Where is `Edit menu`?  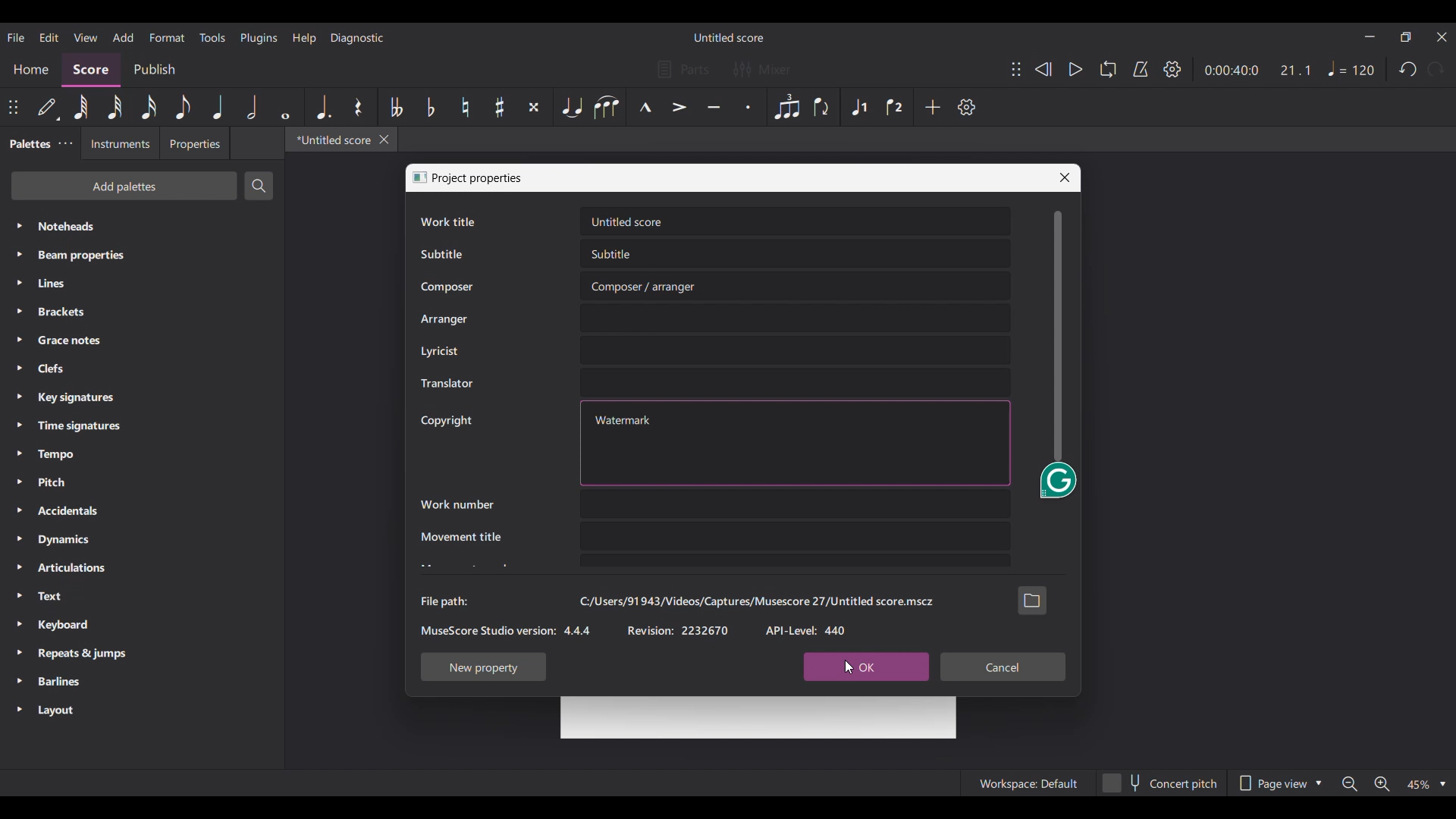 Edit menu is located at coordinates (49, 37).